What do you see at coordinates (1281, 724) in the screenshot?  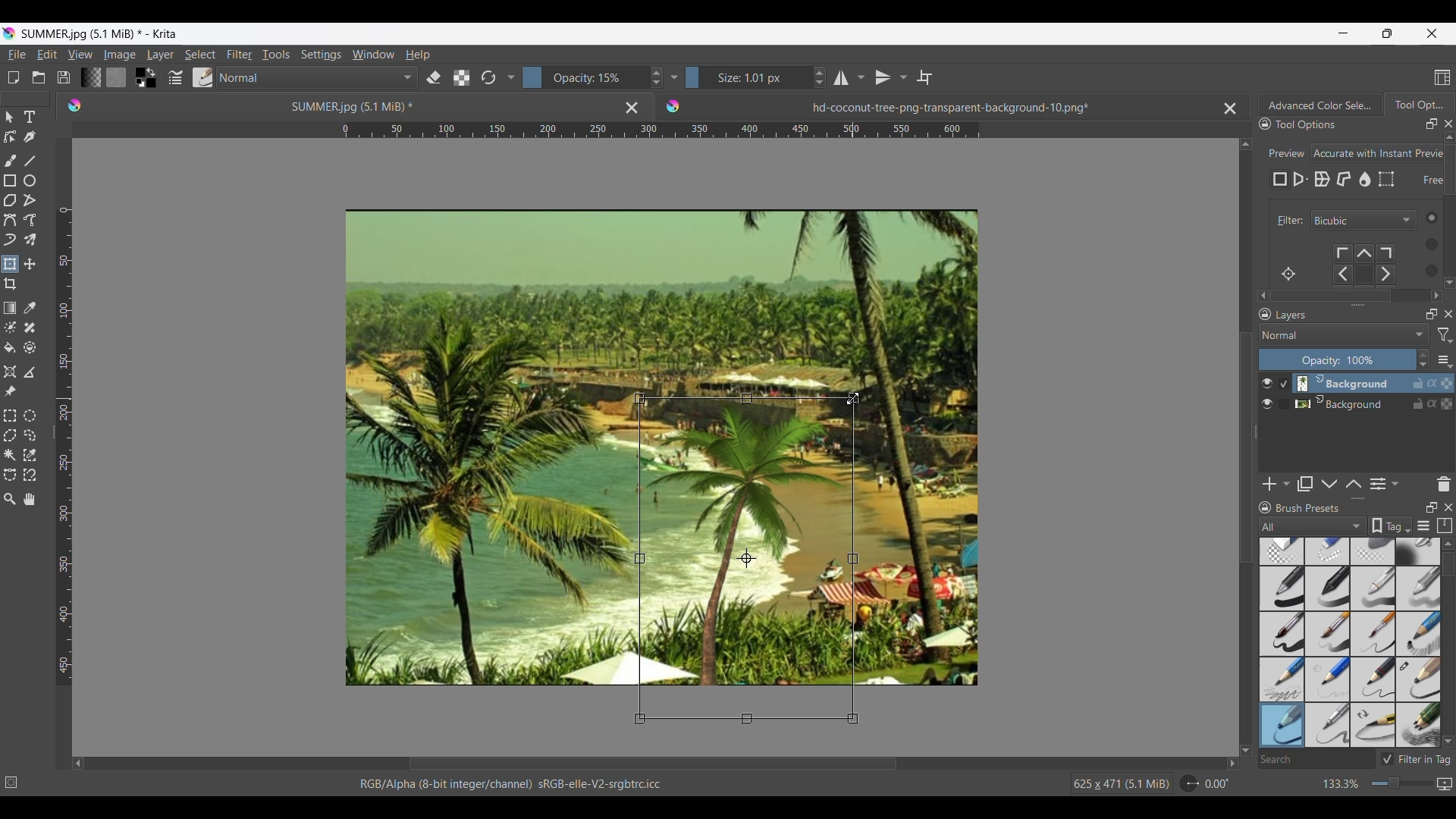 I see `pencil 4 - soft` at bounding box center [1281, 724].